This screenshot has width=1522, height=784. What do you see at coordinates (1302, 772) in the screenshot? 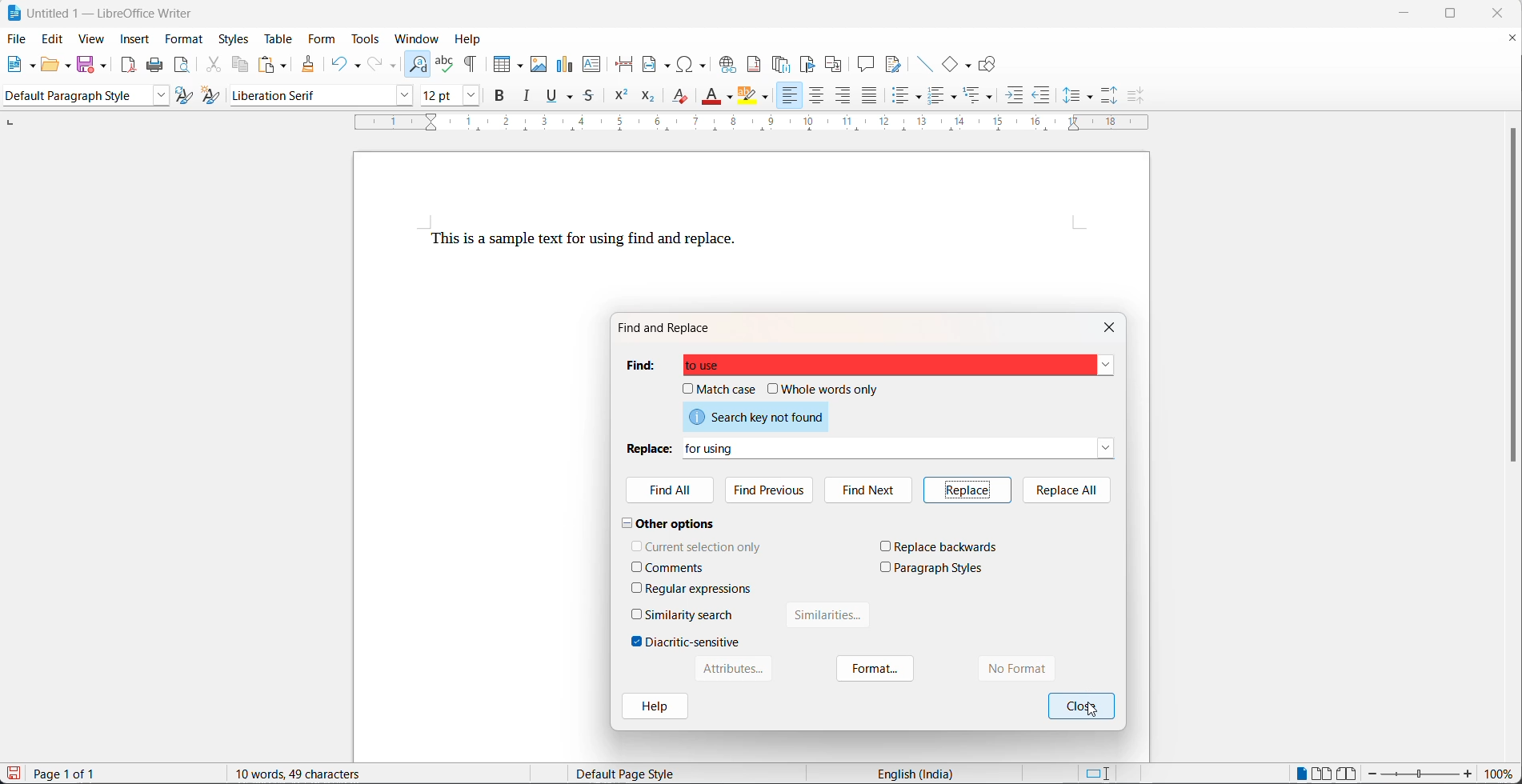
I see `single page view` at bounding box center [1302, 772].